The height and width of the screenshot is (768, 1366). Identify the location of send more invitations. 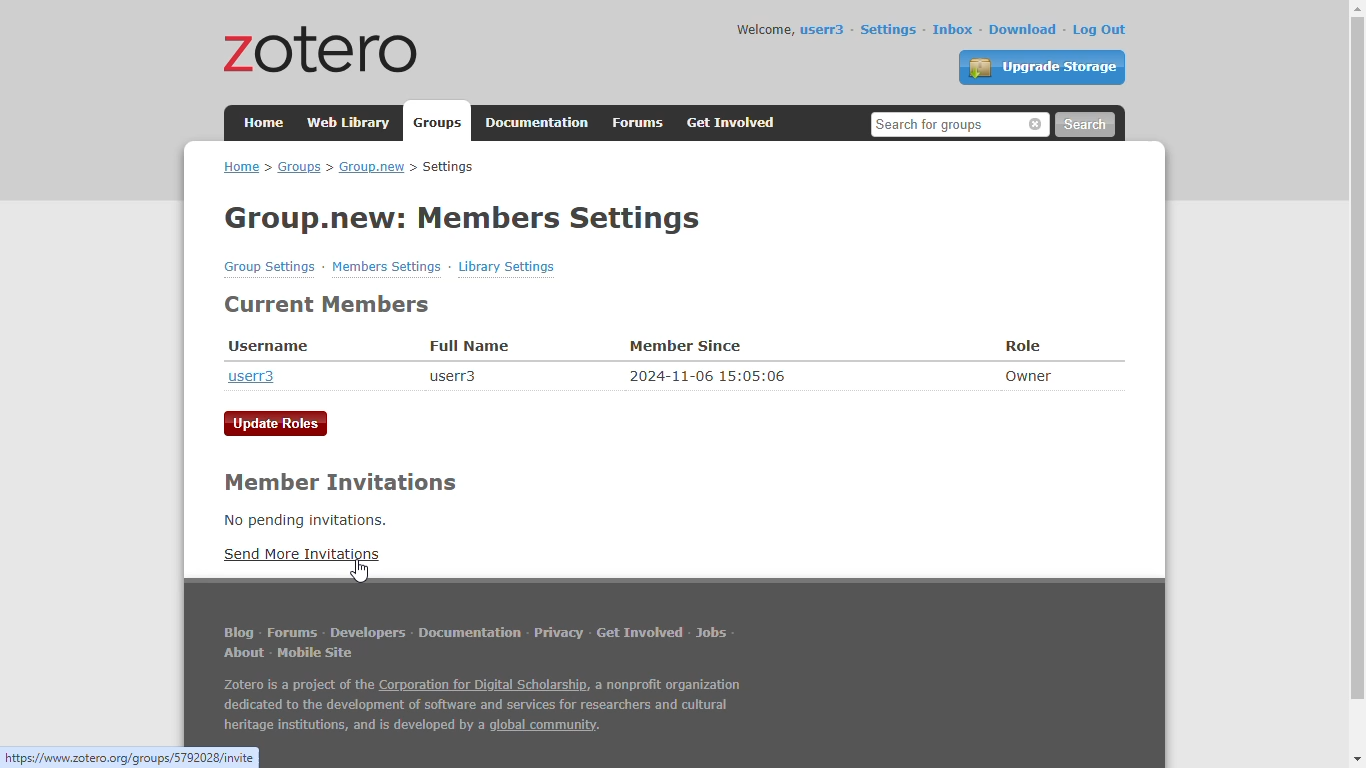
(301, 554).